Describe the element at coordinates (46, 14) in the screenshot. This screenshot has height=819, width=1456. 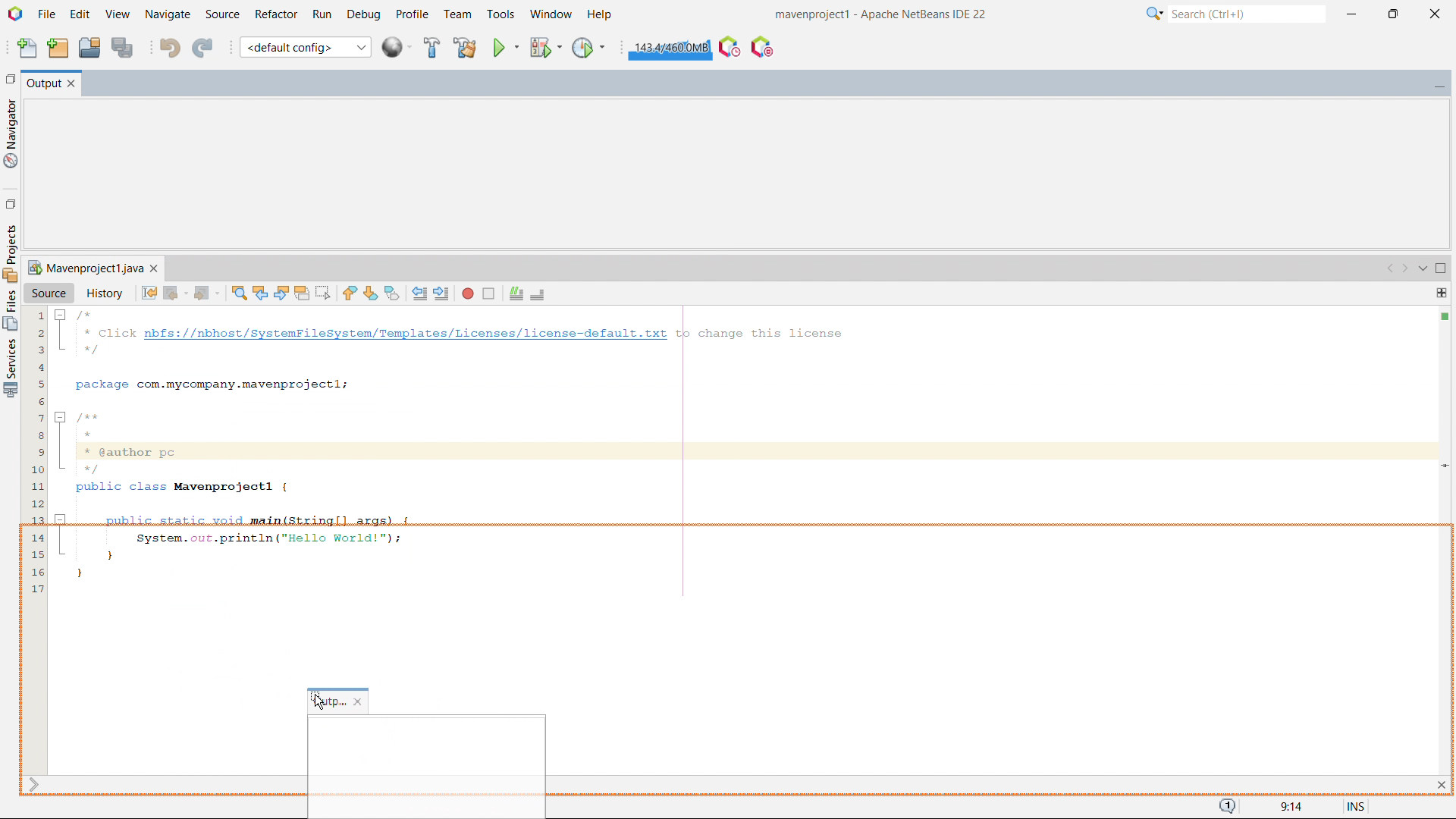
I see `file` at that location.